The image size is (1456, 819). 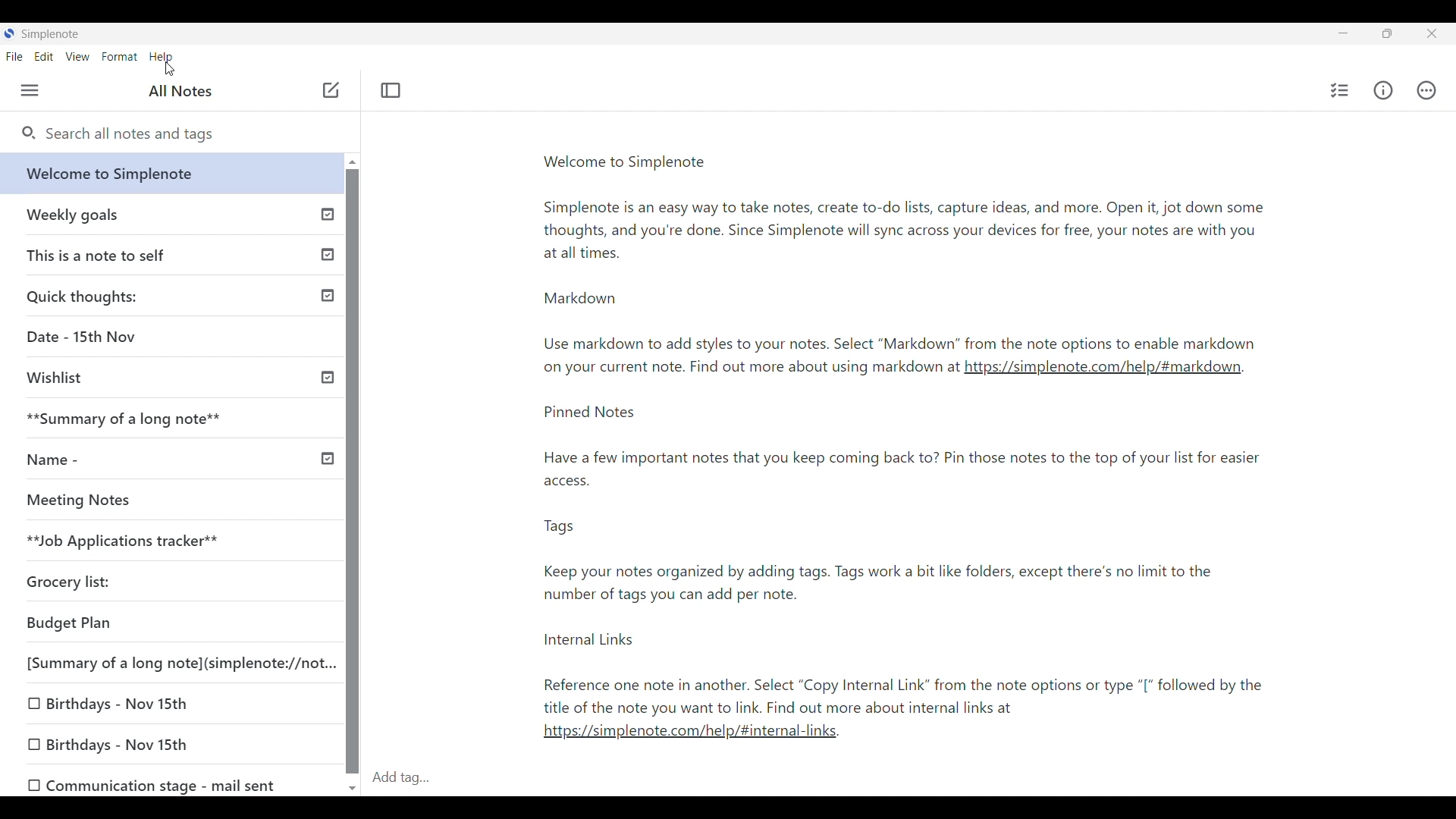 What do you see at coordinates (174, 68) in the screenshot?
I see `cursor` at bounding box center [174, 68].